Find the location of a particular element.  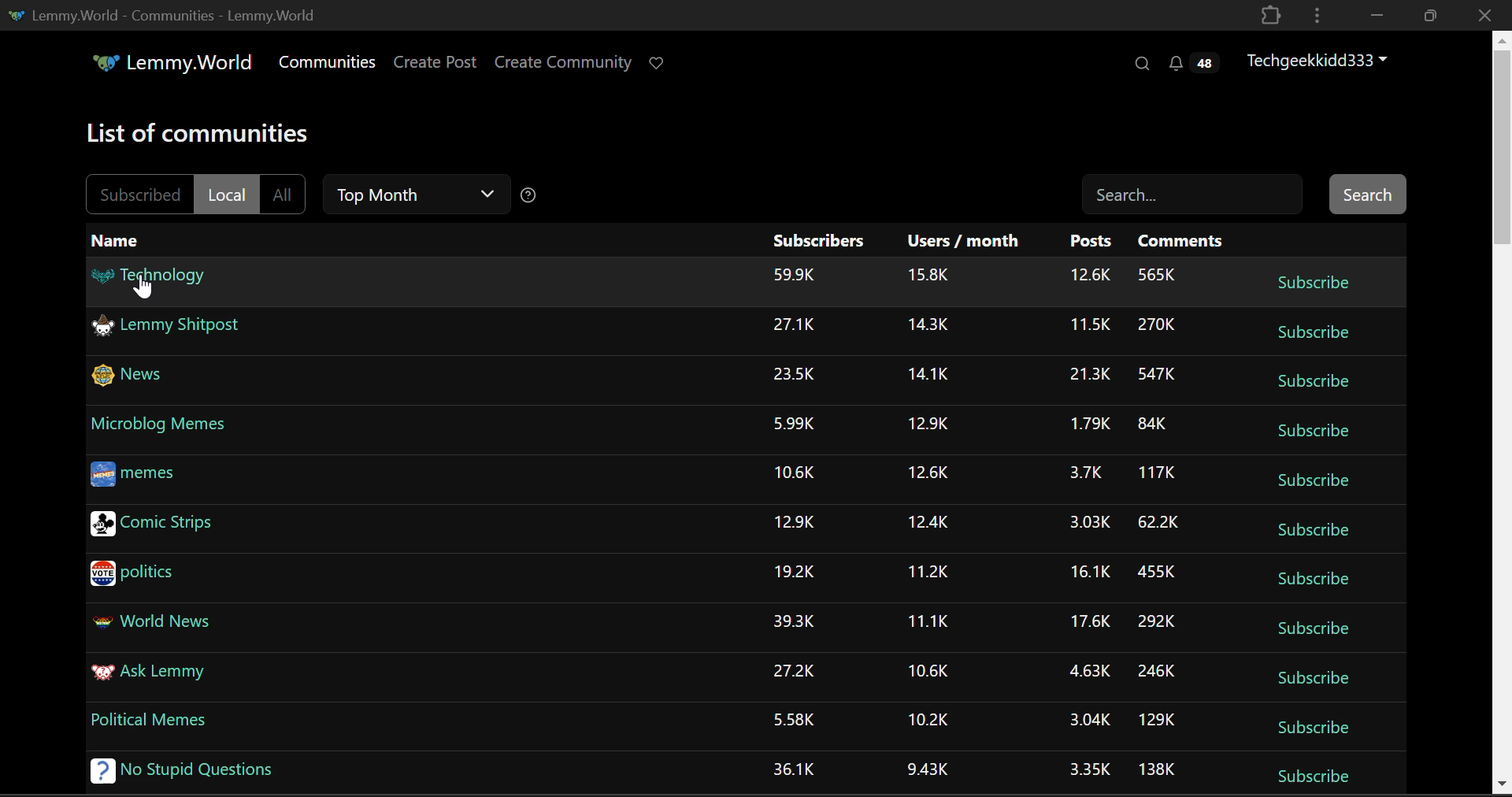

Amount is located at coordinates (925, 375).